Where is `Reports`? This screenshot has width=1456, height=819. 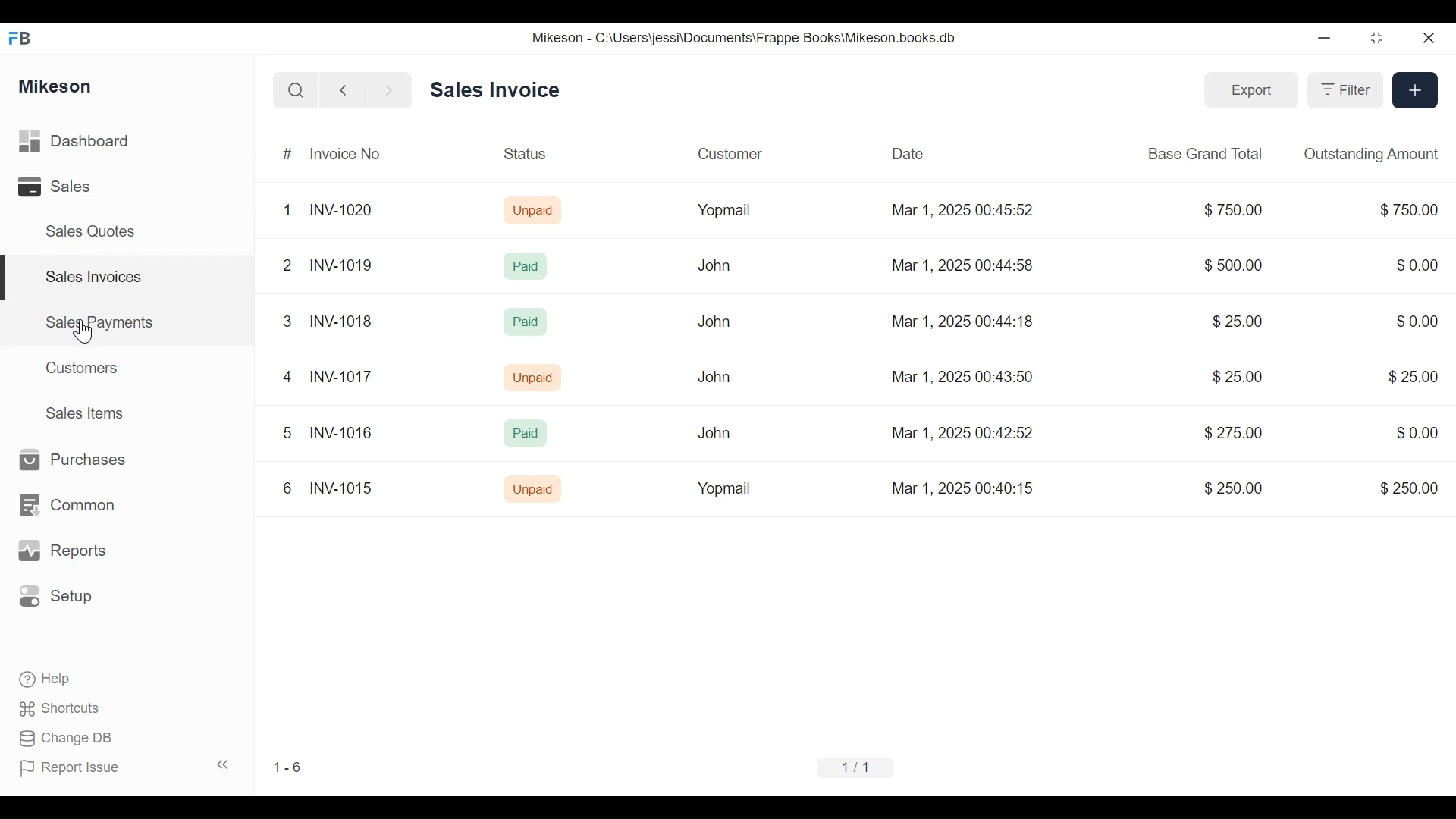
Reports is located at coordinates (65, 551).